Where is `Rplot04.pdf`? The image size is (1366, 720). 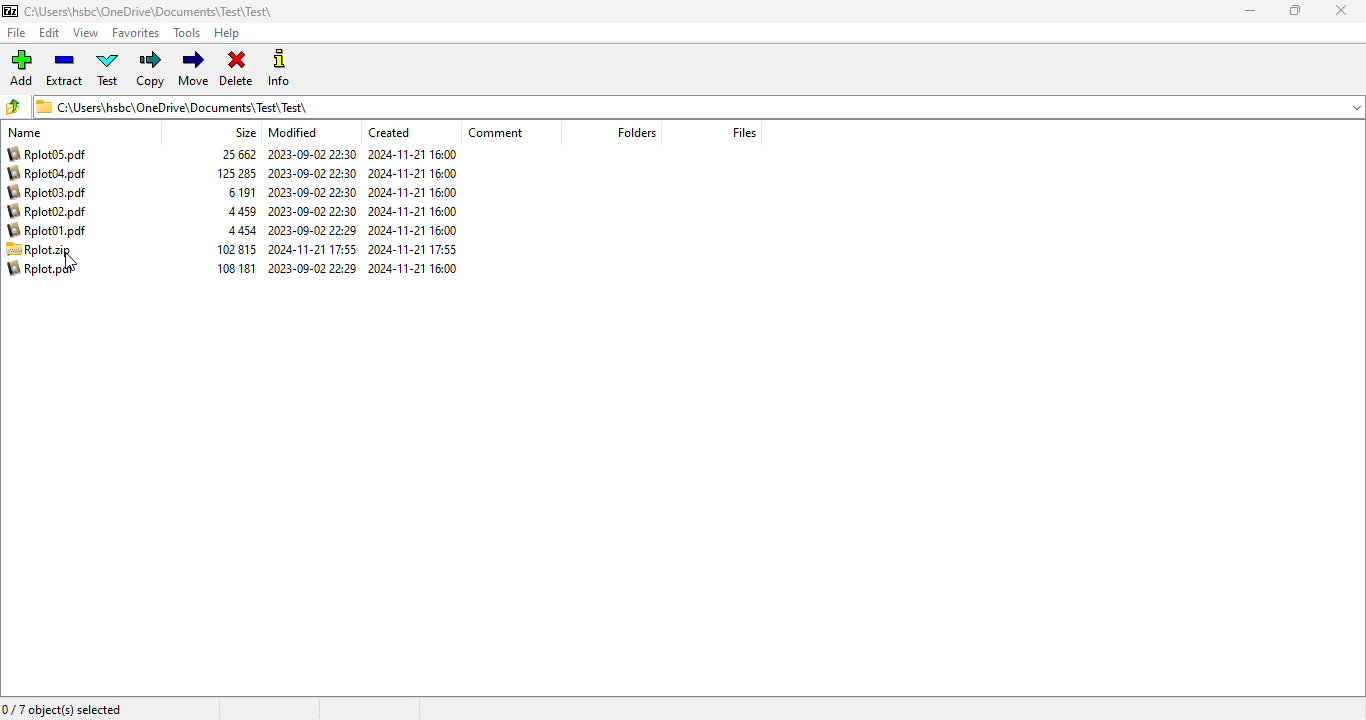 Rplot04.pdf is located at coordinates (55, 172).